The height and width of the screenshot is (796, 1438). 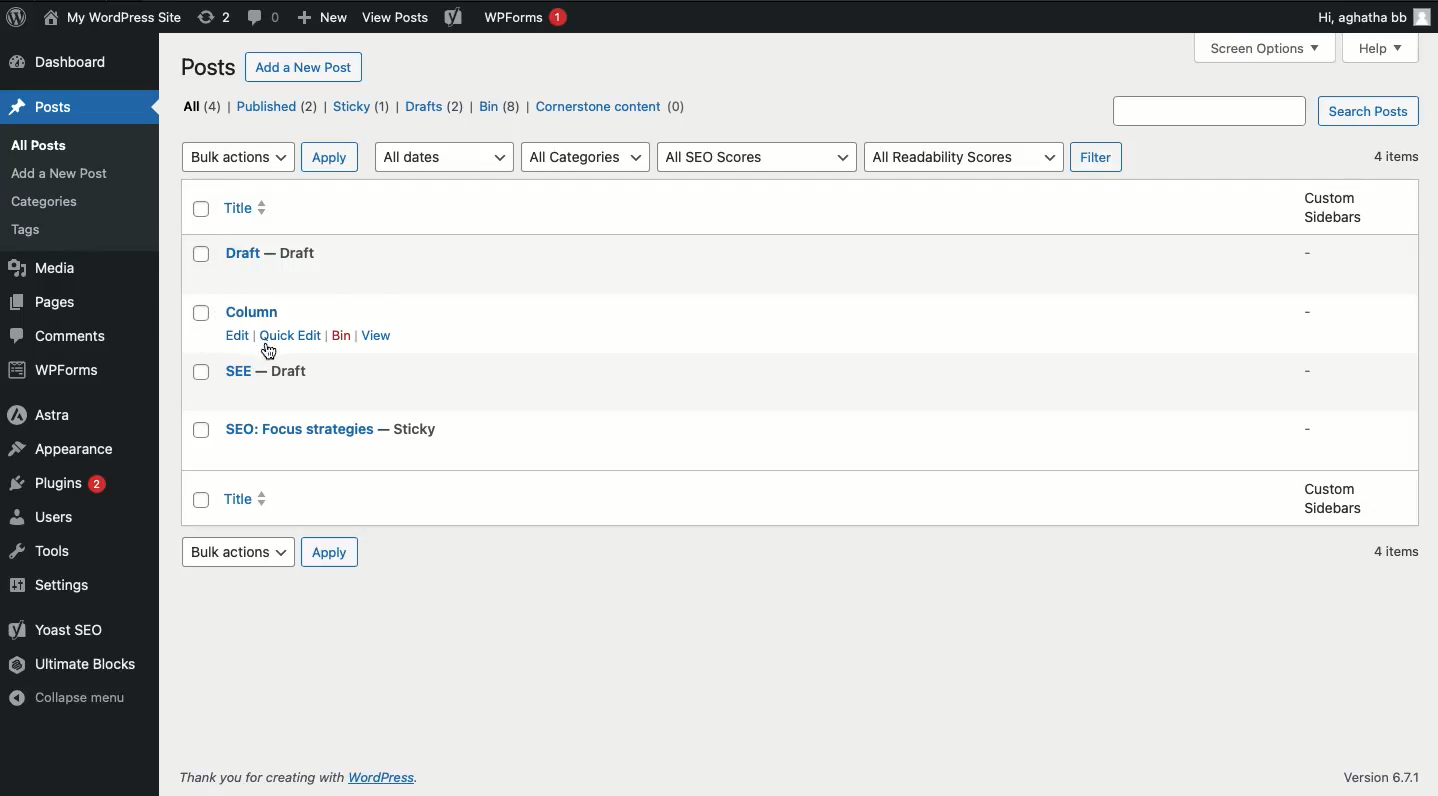 What do you see at coordinates (394, 19) in the screenshot?
I see `` at bounding box center [394, 19].